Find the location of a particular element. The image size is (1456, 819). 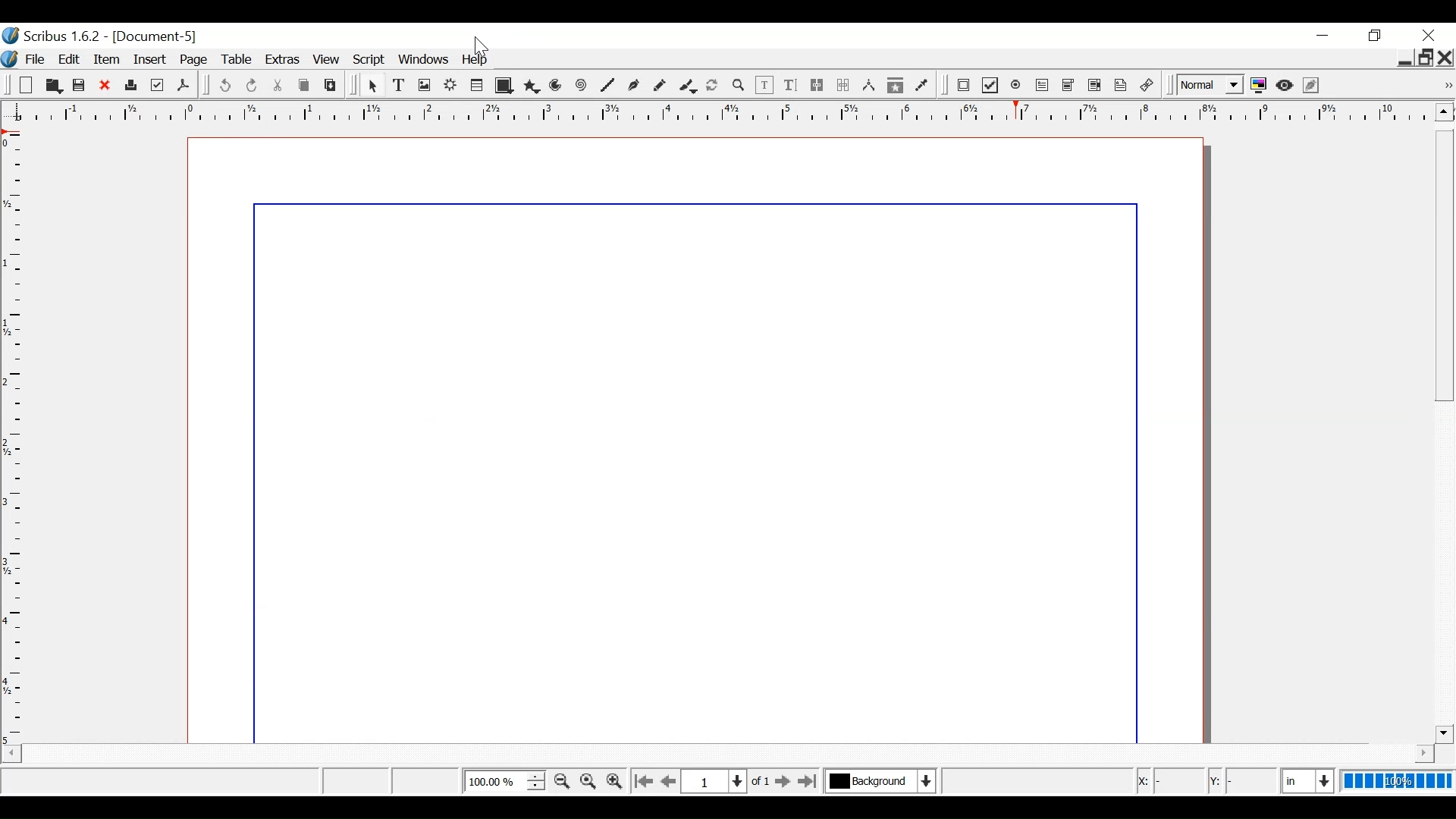

Restore is located at coordinates (1425, 58).